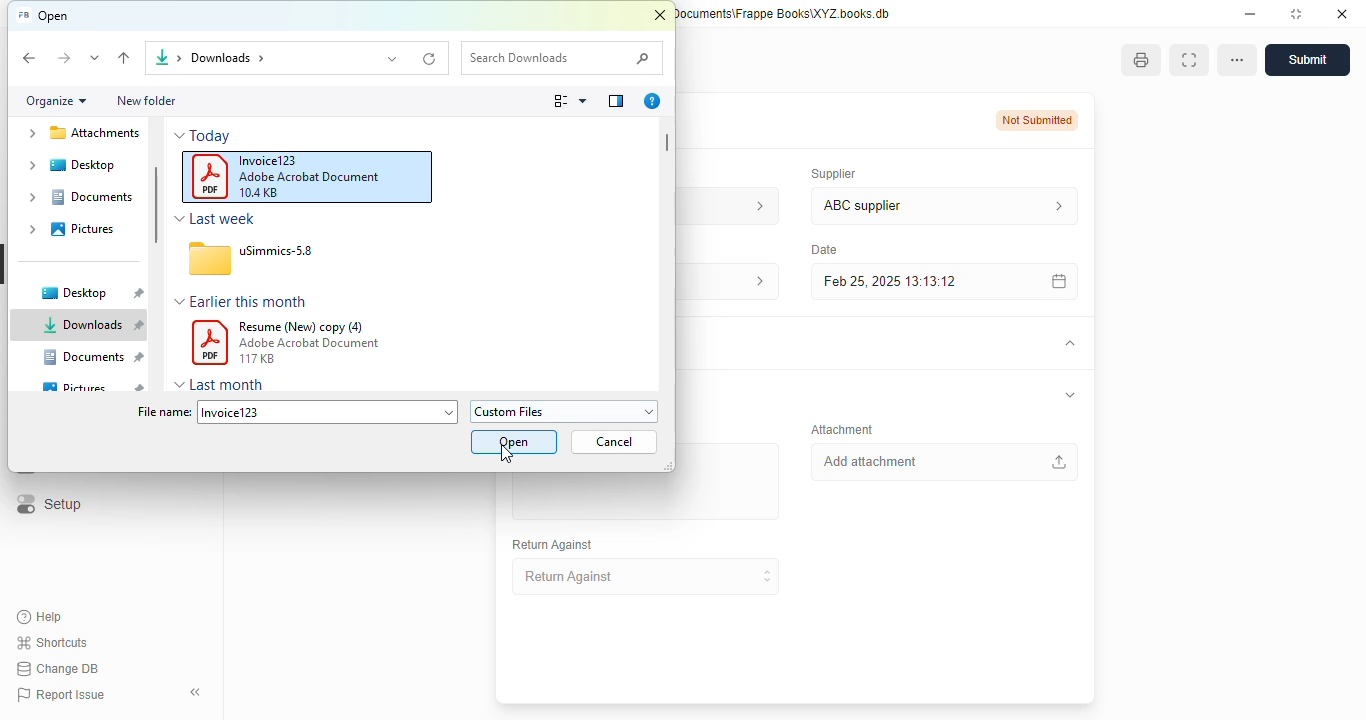  What do you see at coordinates (822, 249) in the screenshot?
I see `date` at bounding box center [822, 249].